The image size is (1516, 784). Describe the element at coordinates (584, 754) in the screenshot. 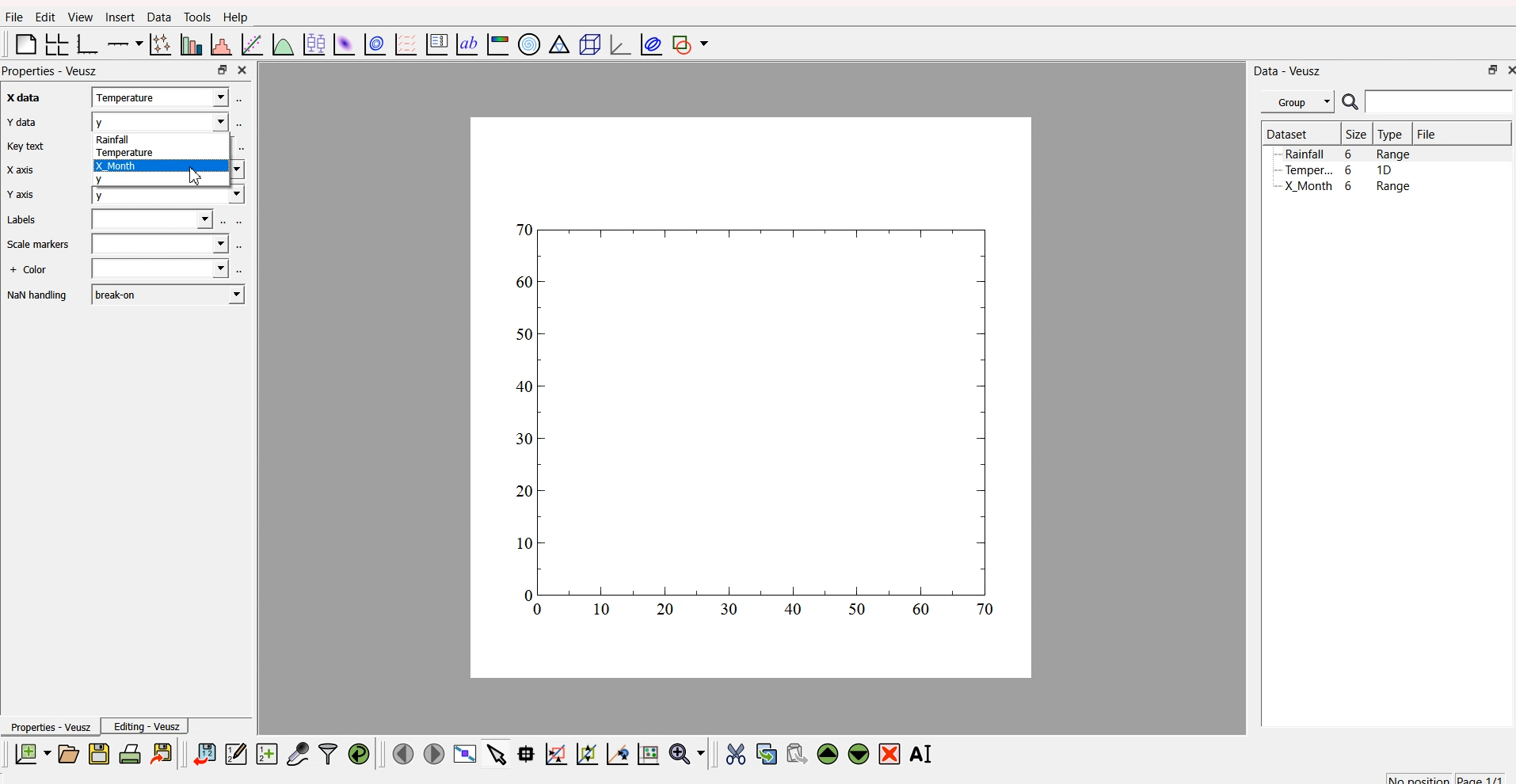

I see `draw points` at that location.